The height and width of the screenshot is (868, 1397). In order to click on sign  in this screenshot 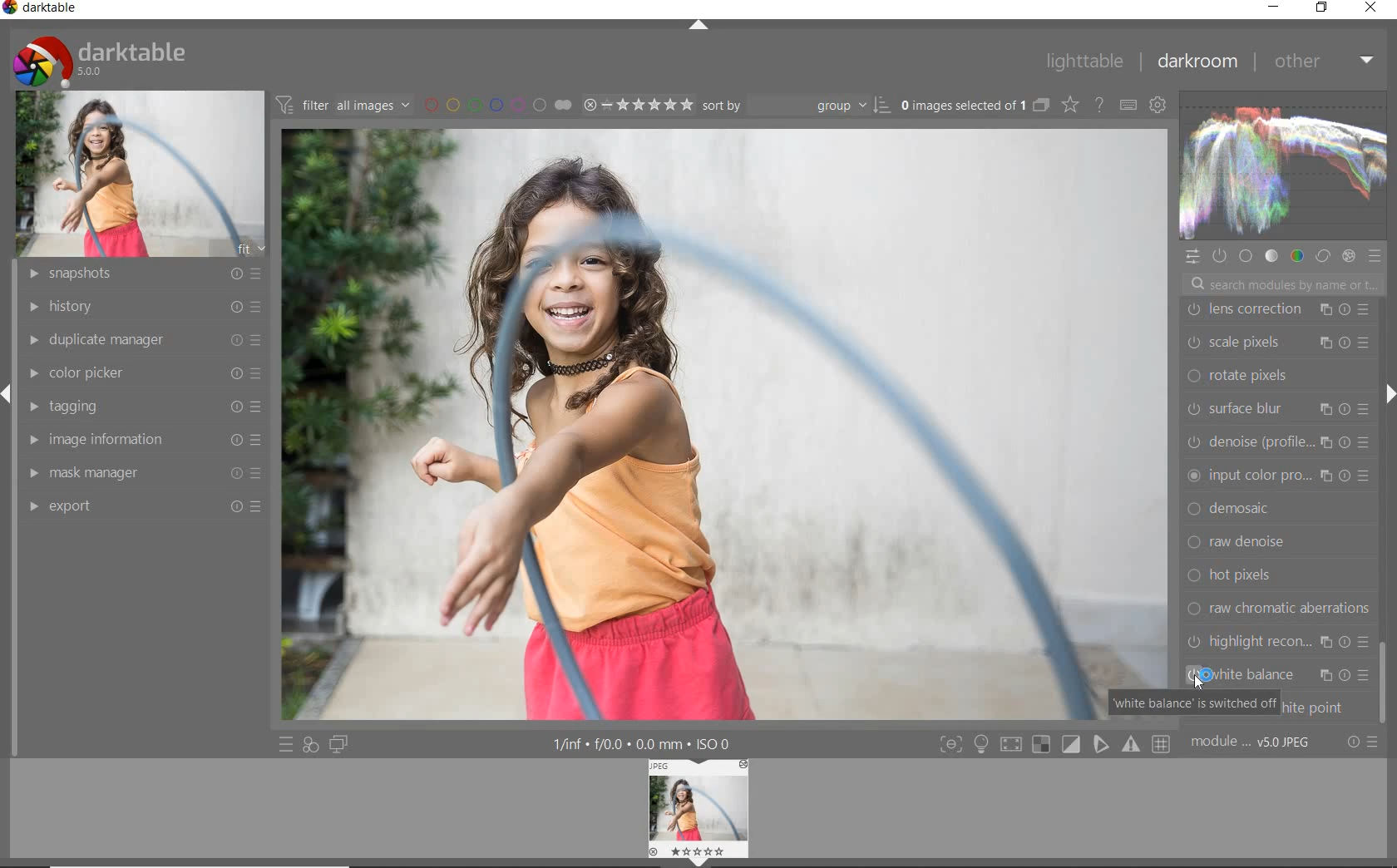, I will do `click(980, 744)`.